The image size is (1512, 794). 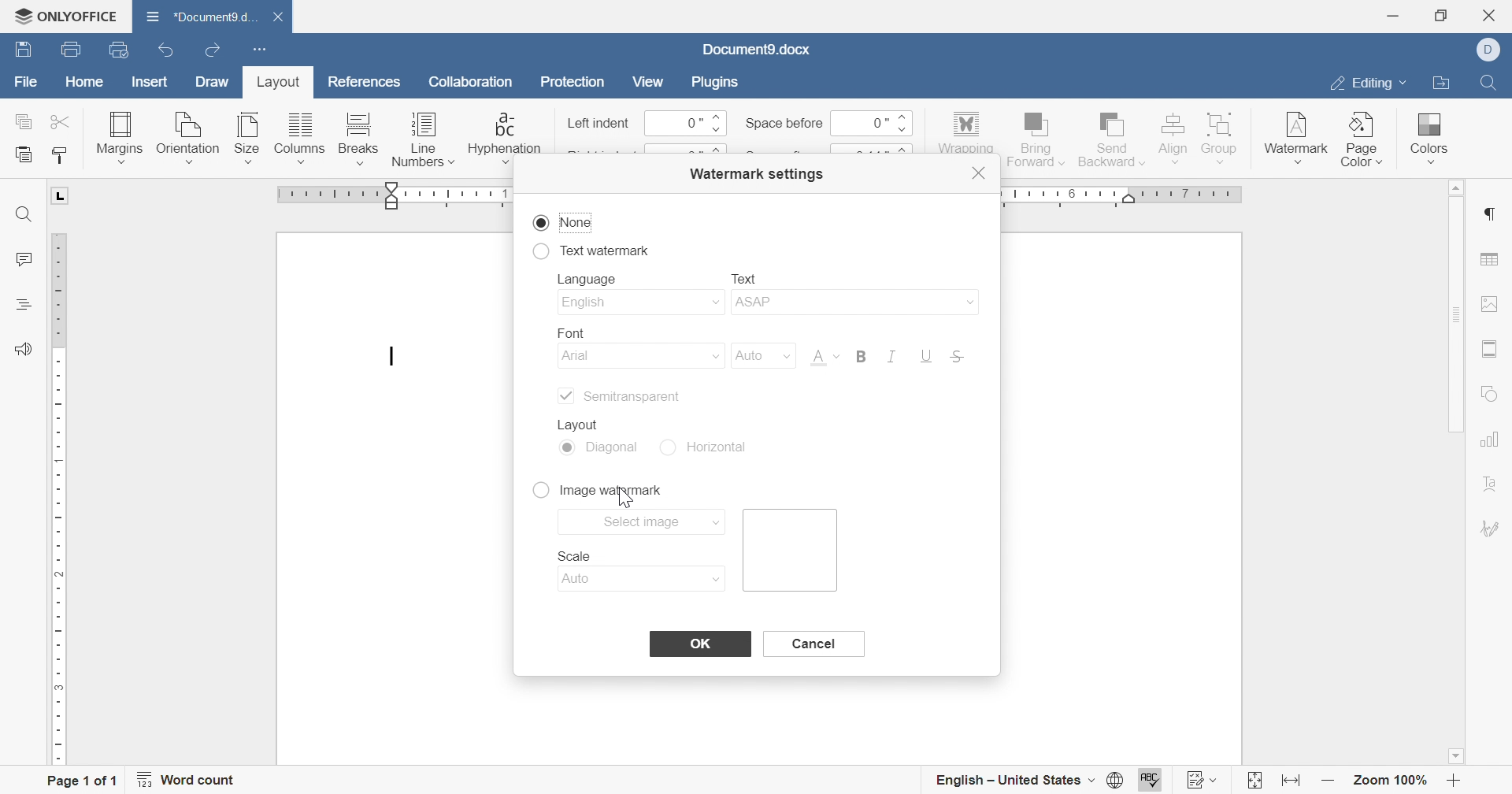 I want to click on margins, so click(x=118, y=136).